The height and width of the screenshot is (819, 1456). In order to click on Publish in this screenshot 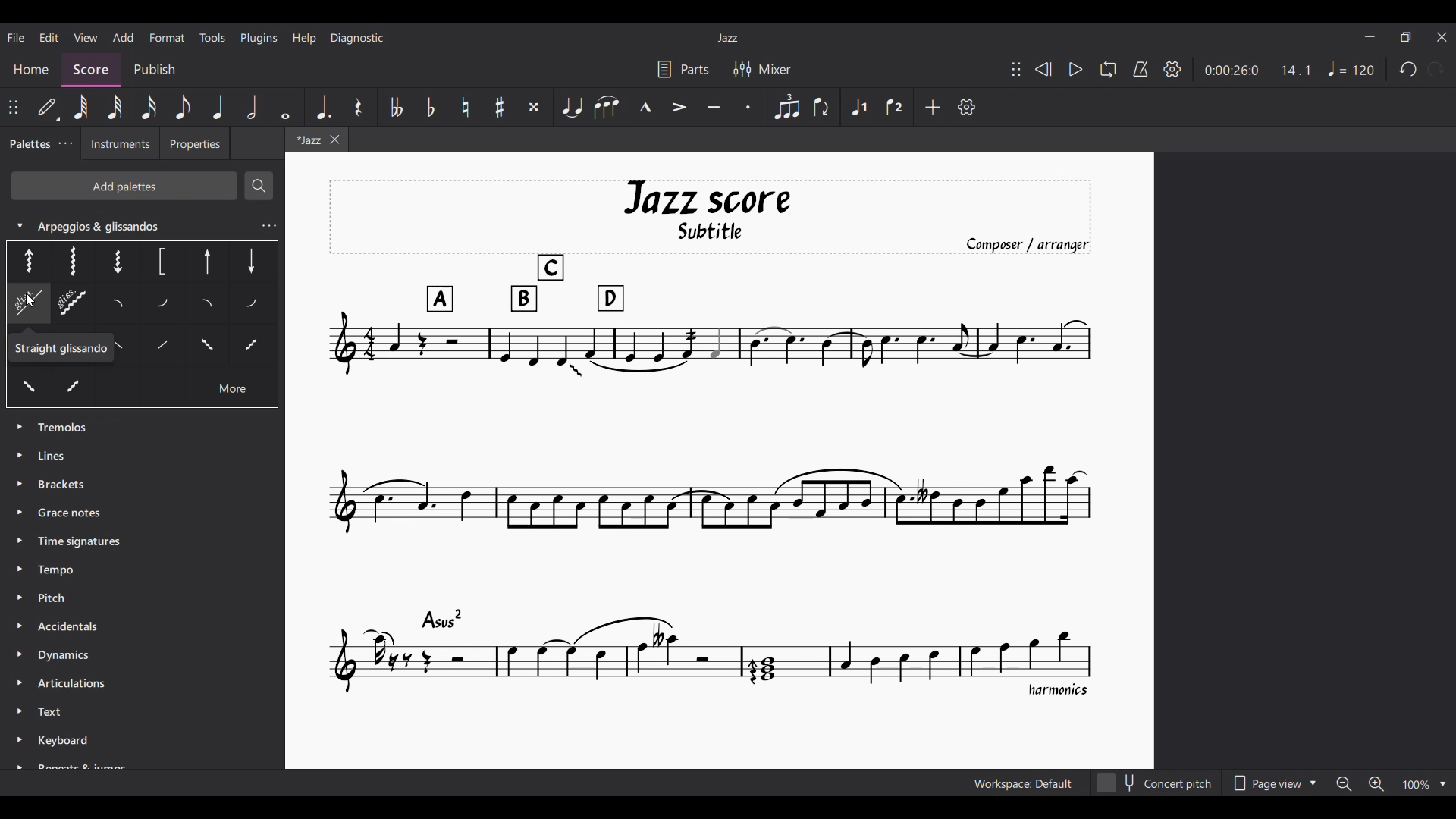, I will do `click(155, 71)`.